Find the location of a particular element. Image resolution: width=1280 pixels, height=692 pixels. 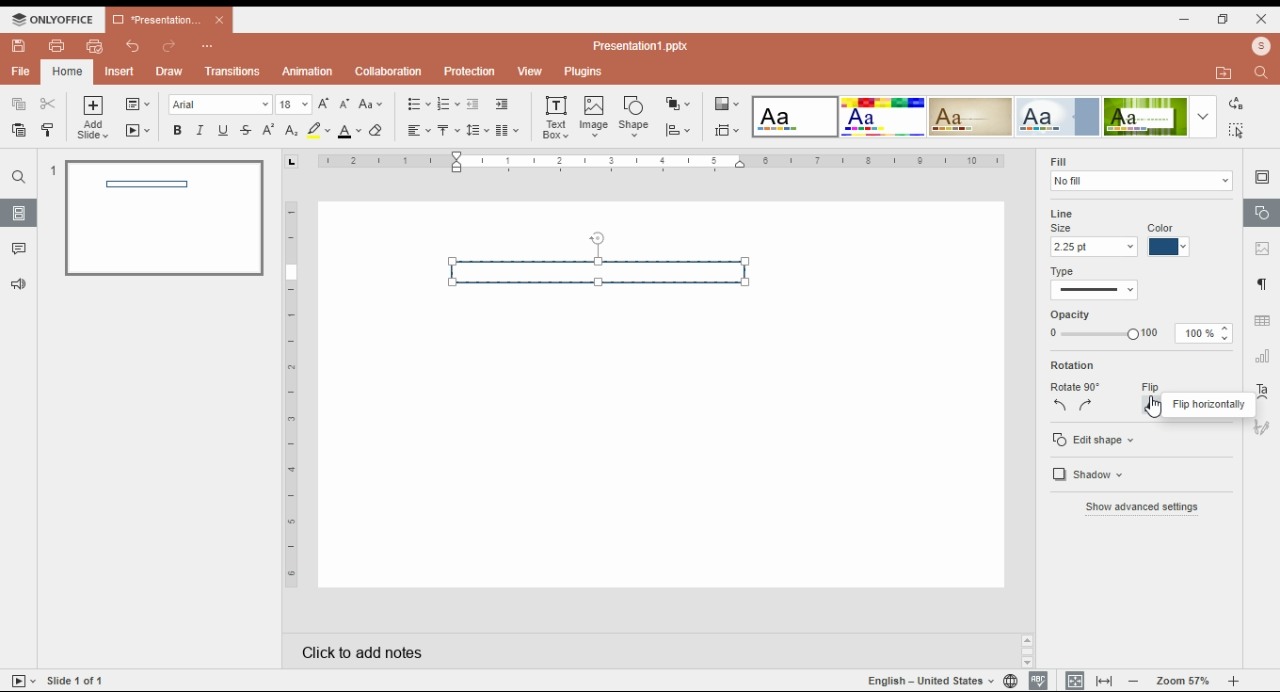

table settings is located at coordinates (1264, 322).